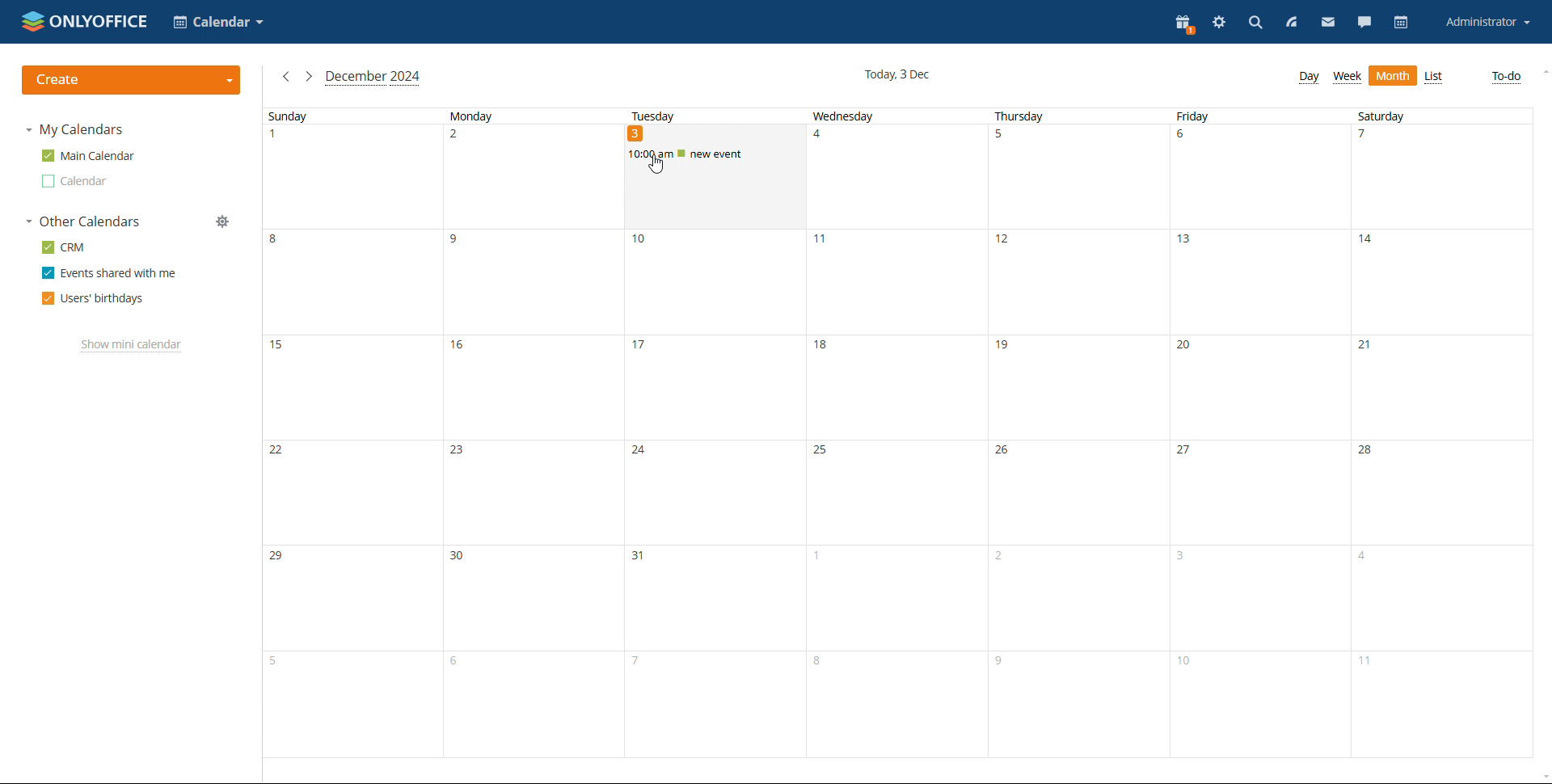 This screenshot has height=784, width=1552. What do you see at coordinates (1433, 78) in the screenshot?
I see `list view` at bounding box center [1433, 78].